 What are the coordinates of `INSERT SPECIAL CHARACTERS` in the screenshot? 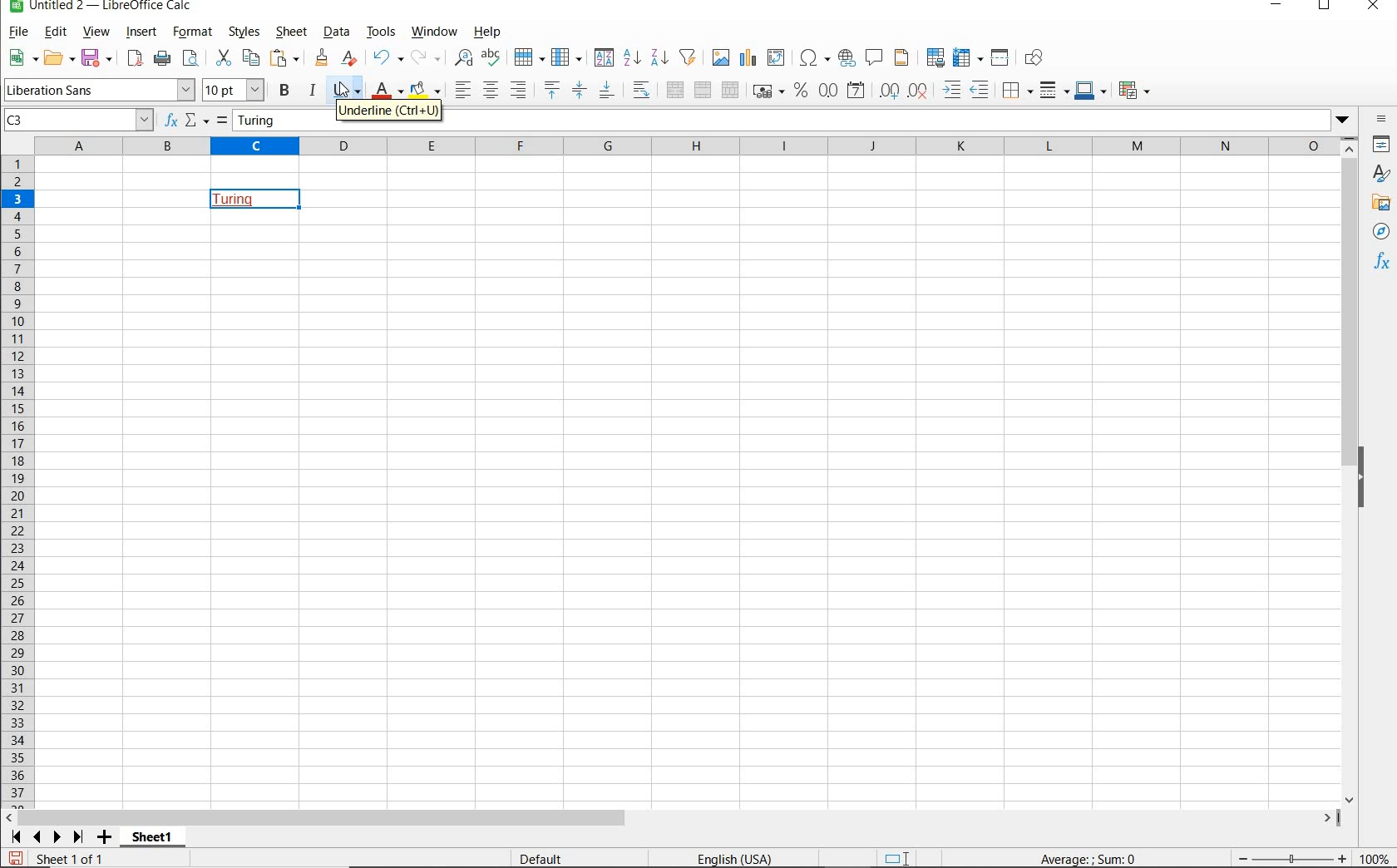 It's located at (813, 59).